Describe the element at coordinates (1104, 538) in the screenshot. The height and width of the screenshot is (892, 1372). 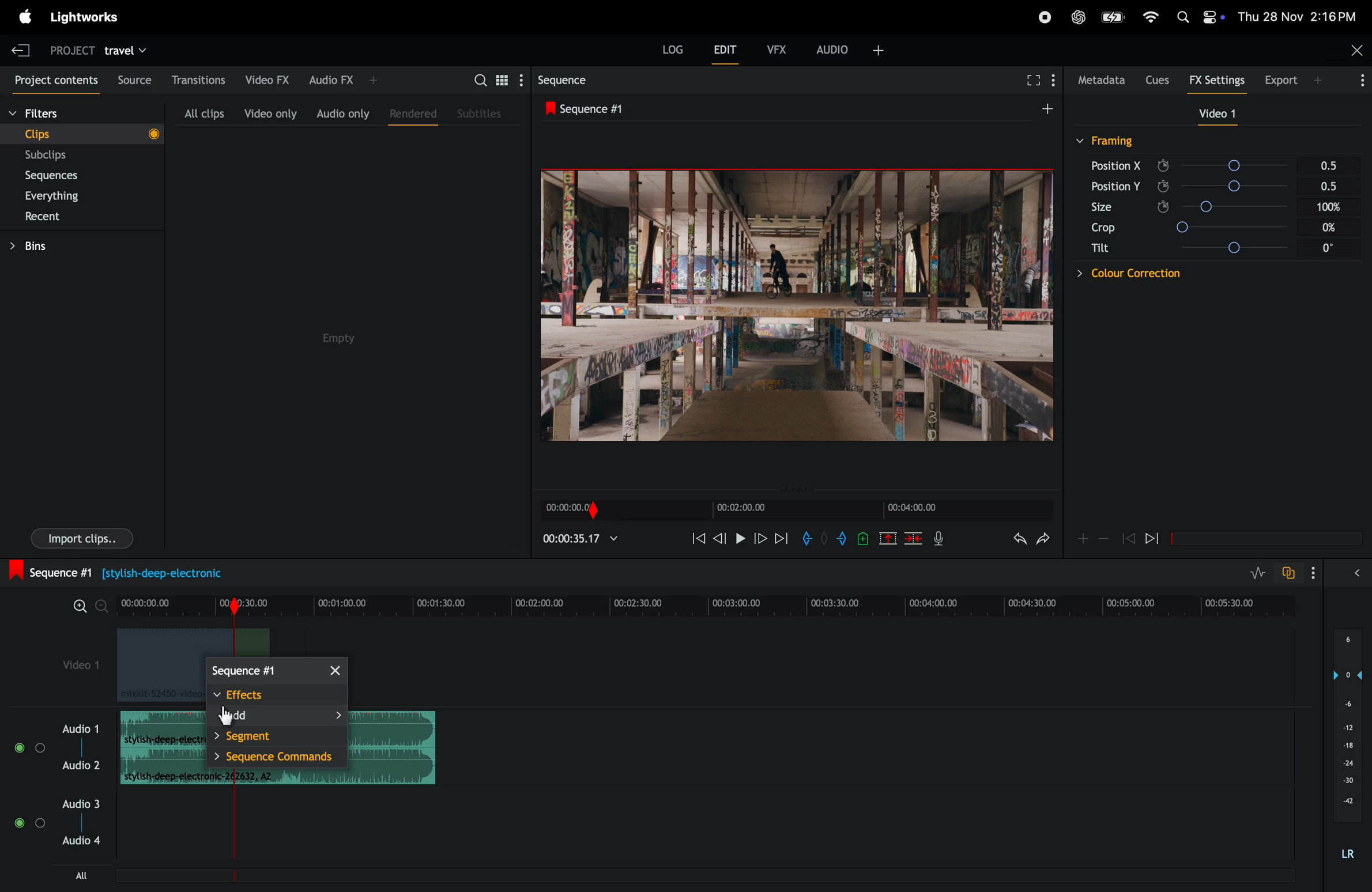
I see `remove key frame ` at that location.